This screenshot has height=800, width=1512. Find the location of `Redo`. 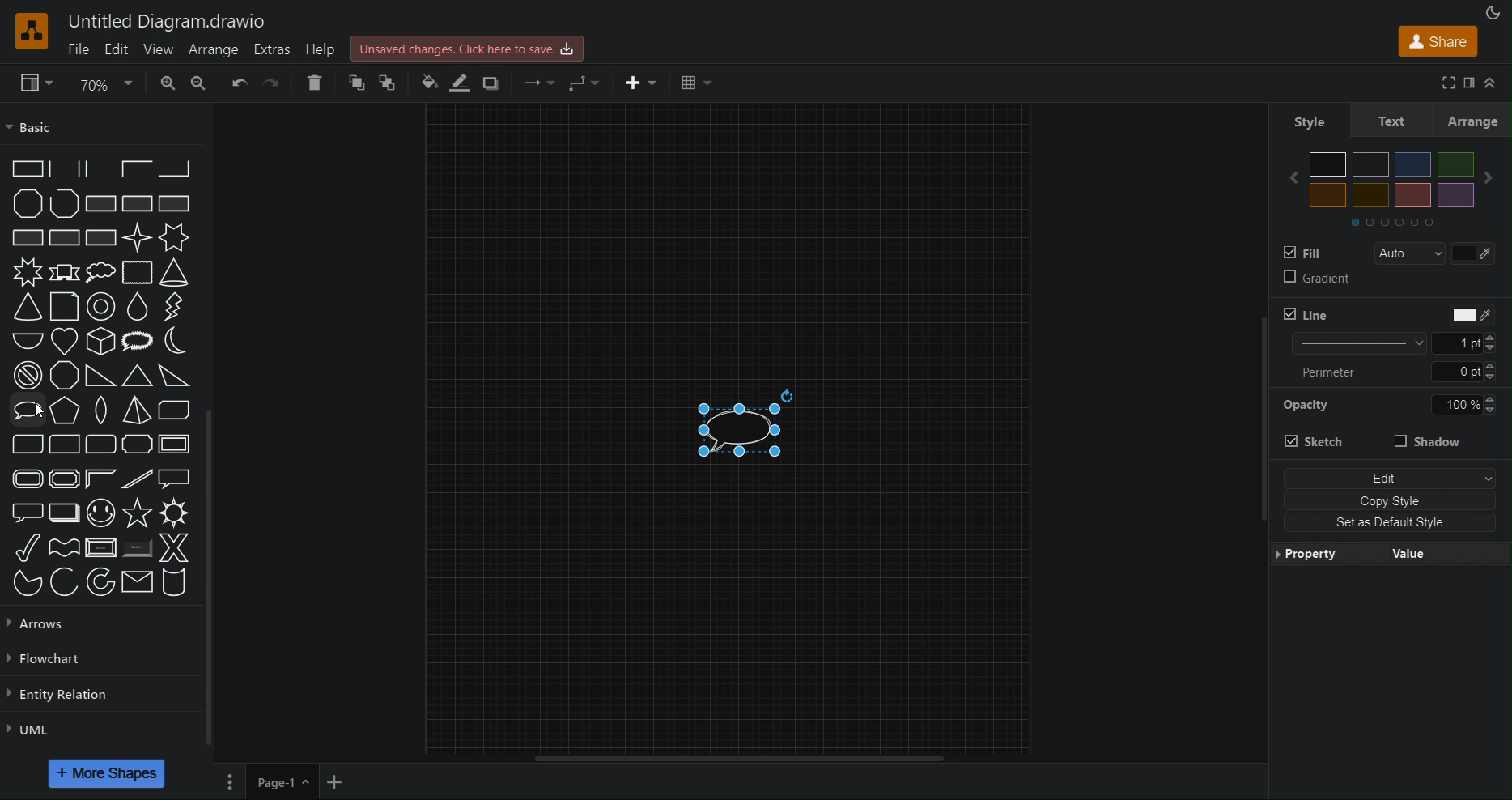

Redo is located at coordinates (270, 86).